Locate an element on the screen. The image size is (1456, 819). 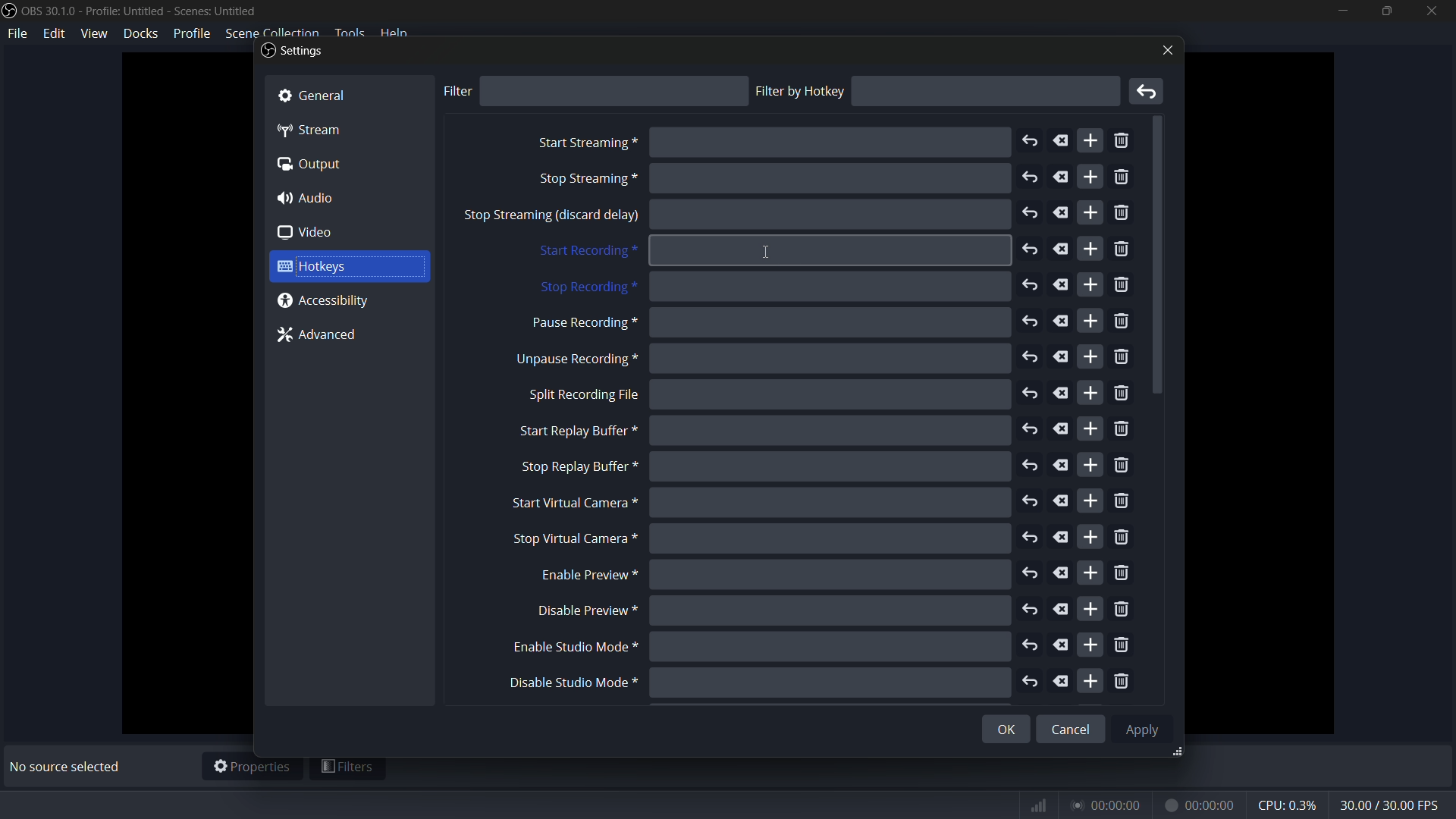
filters is located at coordinates (348, 769).